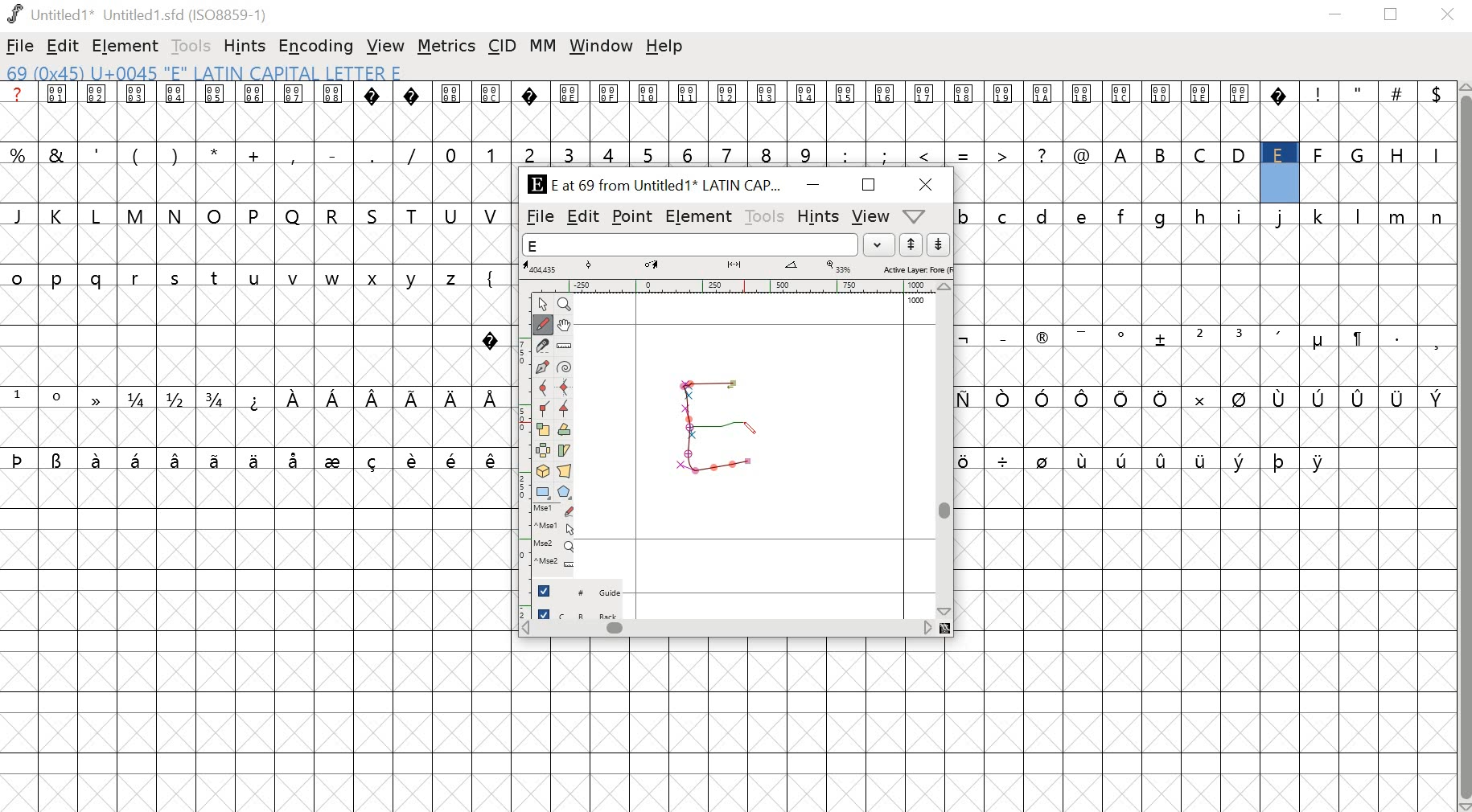  I want to click on special characters and symbols, so click(255, 399).